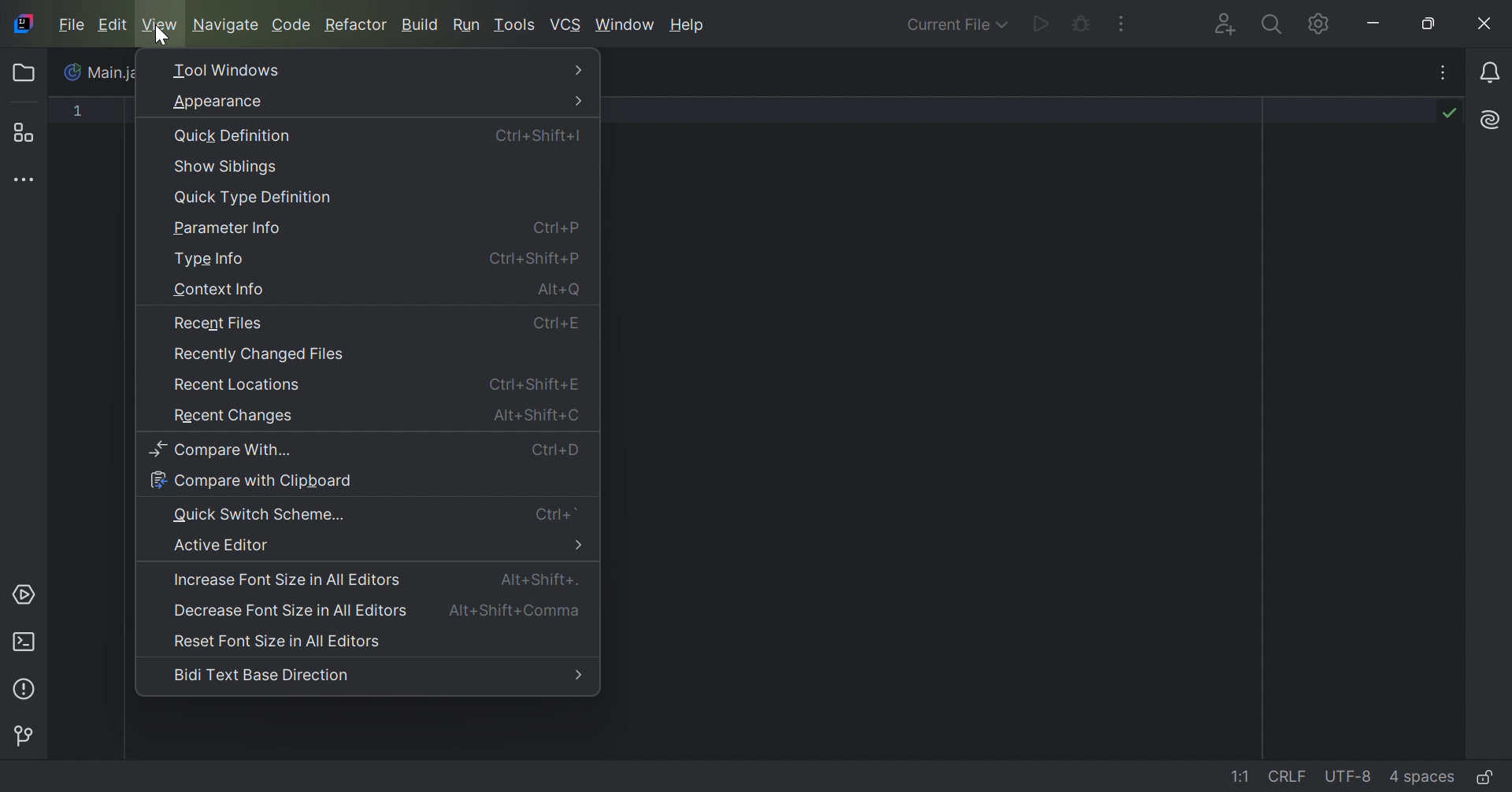  What do you see at coordinates (1122, 24) in the screenshot?
I see `More actions` at bounding box center [1122, 24].